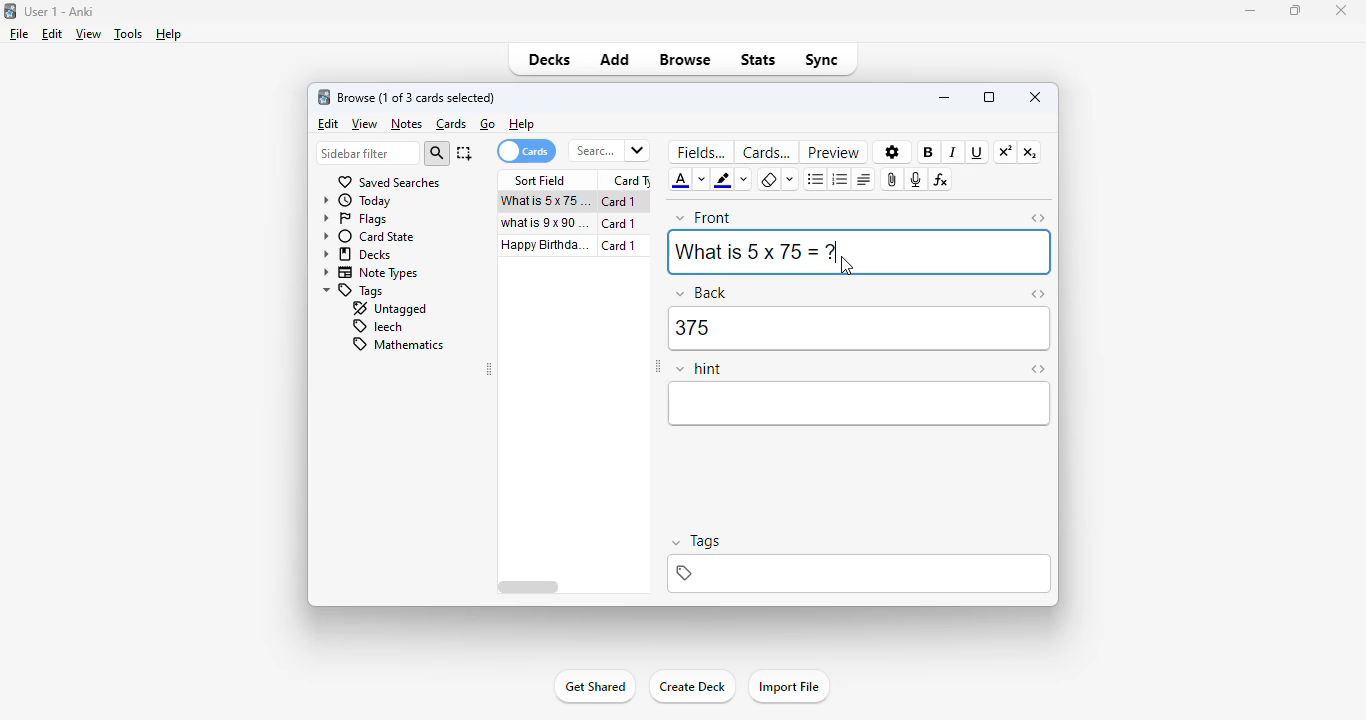 Image resolution: width=1366 pixels, height=720 pixels. Describe the element at coordinates (725, 180) in the screenshot. I see `text highlight color` at that location.